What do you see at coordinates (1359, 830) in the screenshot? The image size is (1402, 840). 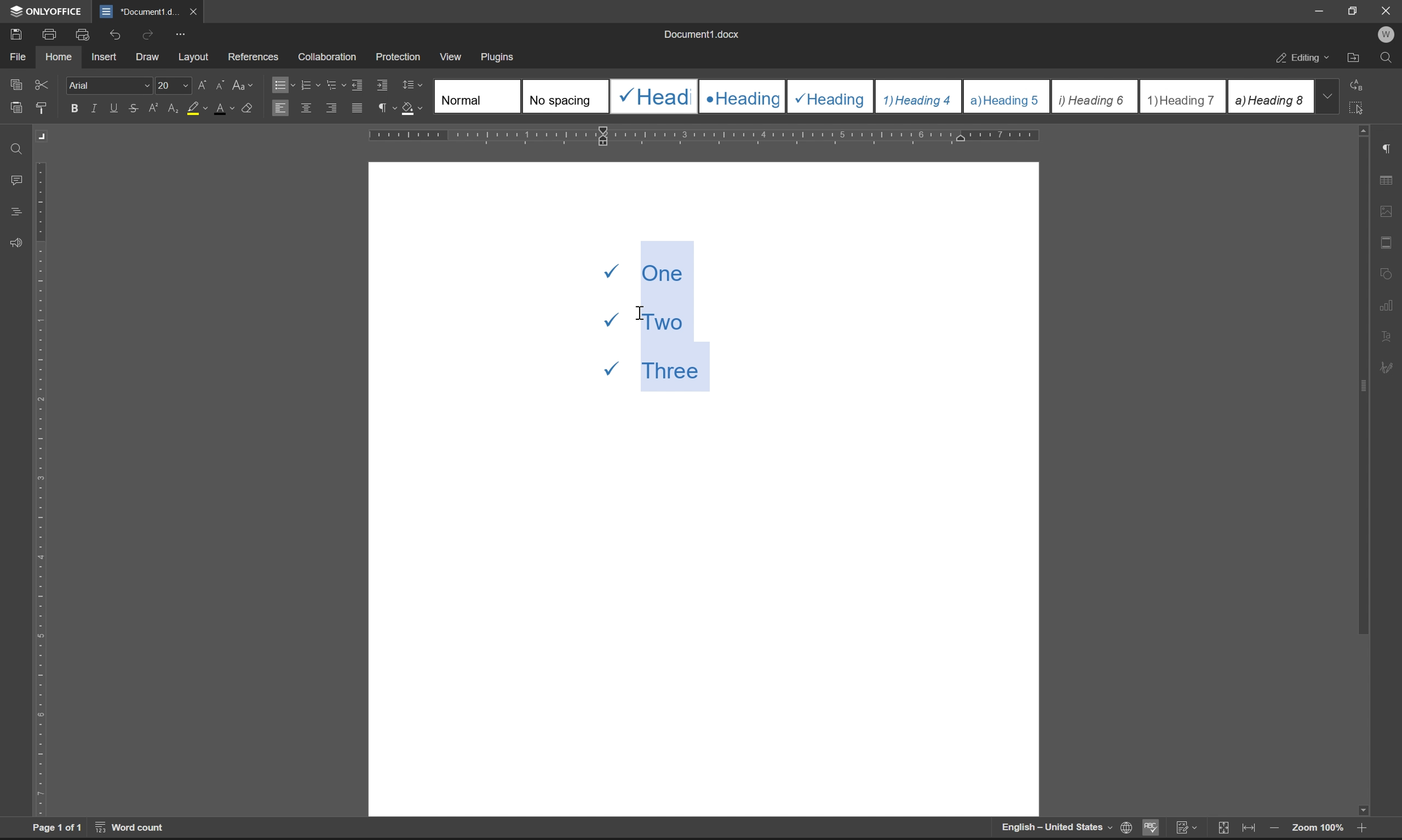 I see `zoom in` at bounding box center [1359, 830].